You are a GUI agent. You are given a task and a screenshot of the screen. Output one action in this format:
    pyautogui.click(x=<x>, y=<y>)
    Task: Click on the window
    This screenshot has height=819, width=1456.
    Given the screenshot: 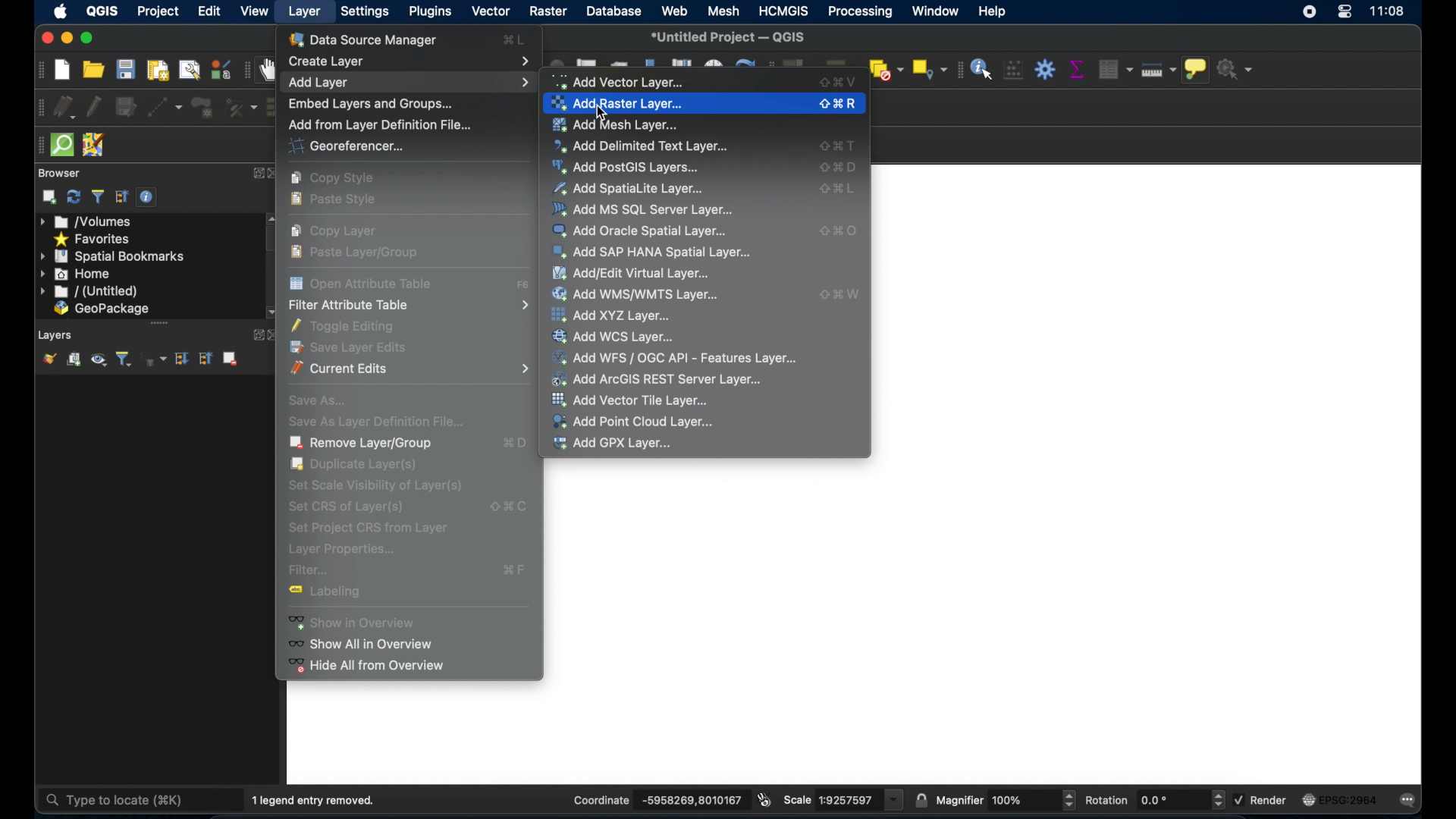 What is the action you would take?
    pyautogui.click(x=934, y=11)
    